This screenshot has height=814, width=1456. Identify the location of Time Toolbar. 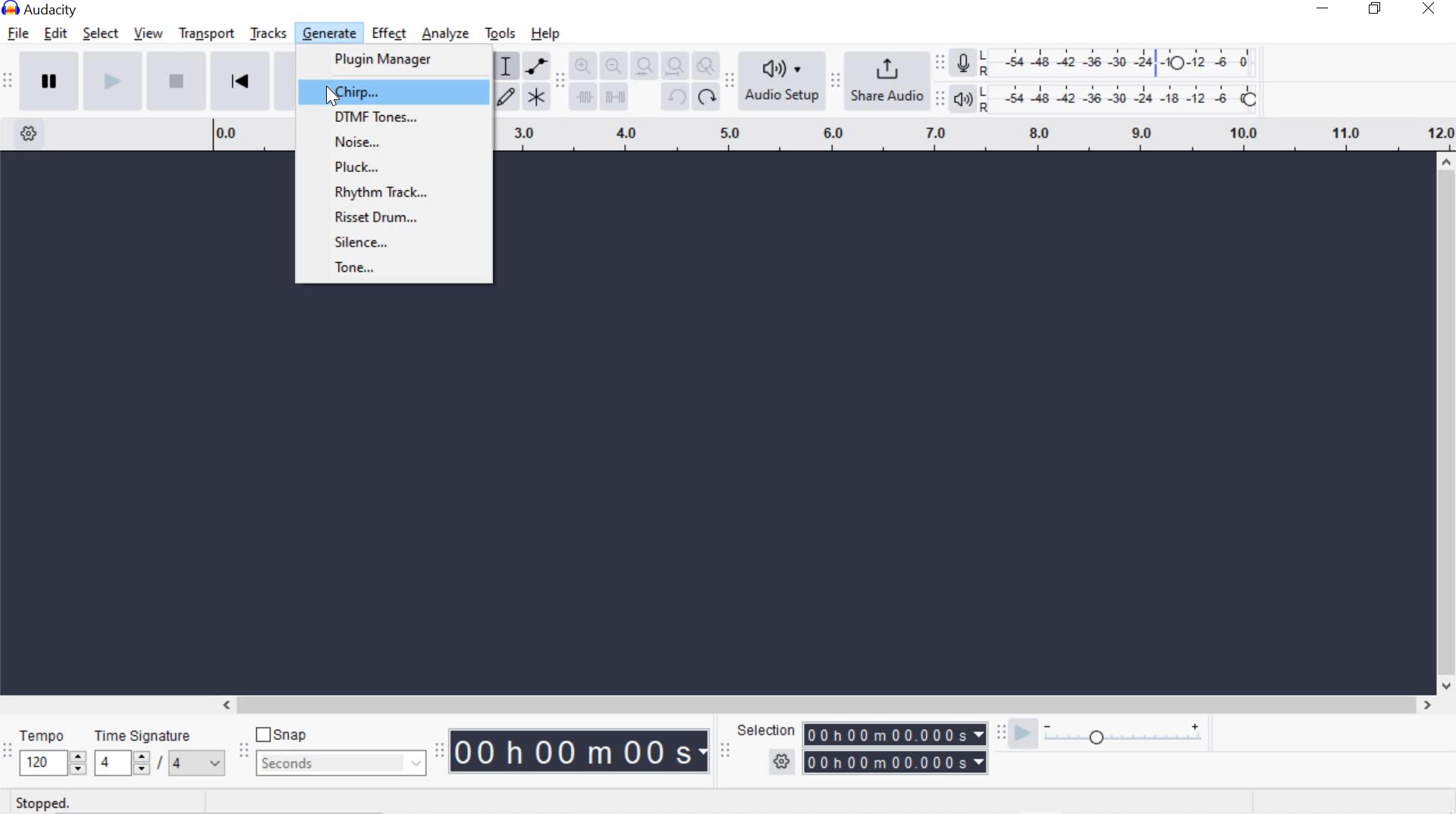
(441, 750).